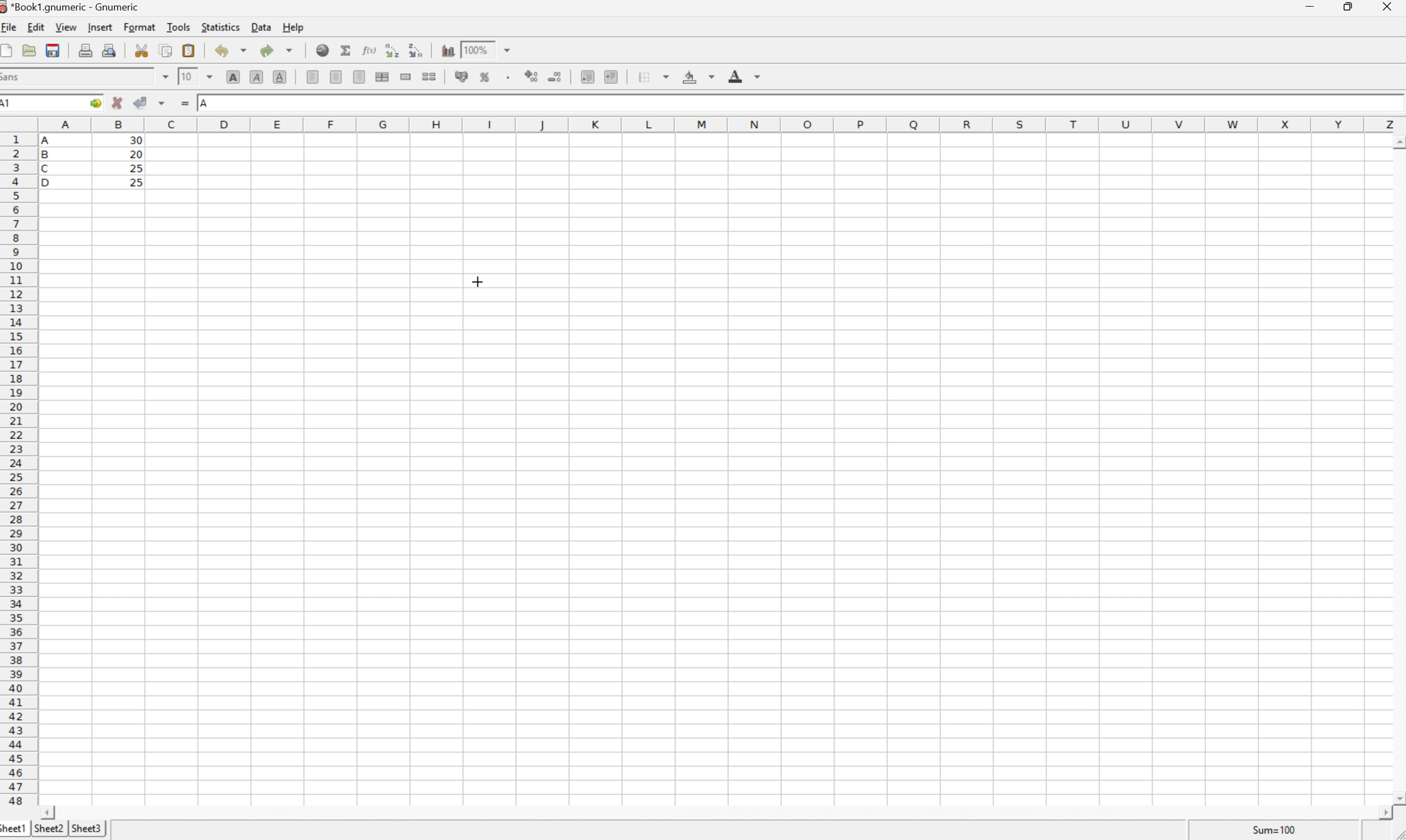  What do you see at coordinates (13, 104) in the screenshot?
I see `A1` at bounding box center [13, 104].